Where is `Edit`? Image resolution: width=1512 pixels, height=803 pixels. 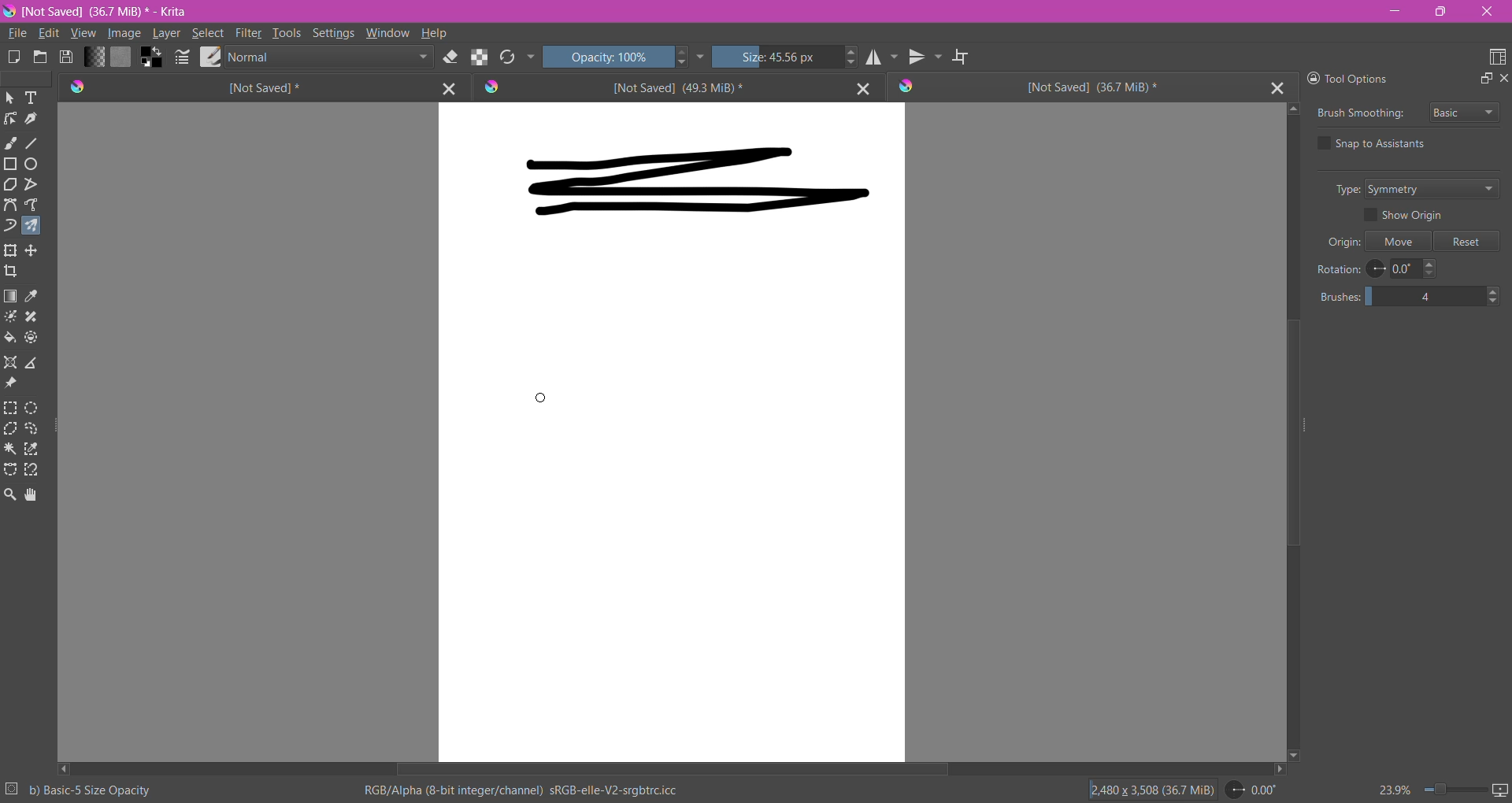
Edit is located at coordinates (48, 33).